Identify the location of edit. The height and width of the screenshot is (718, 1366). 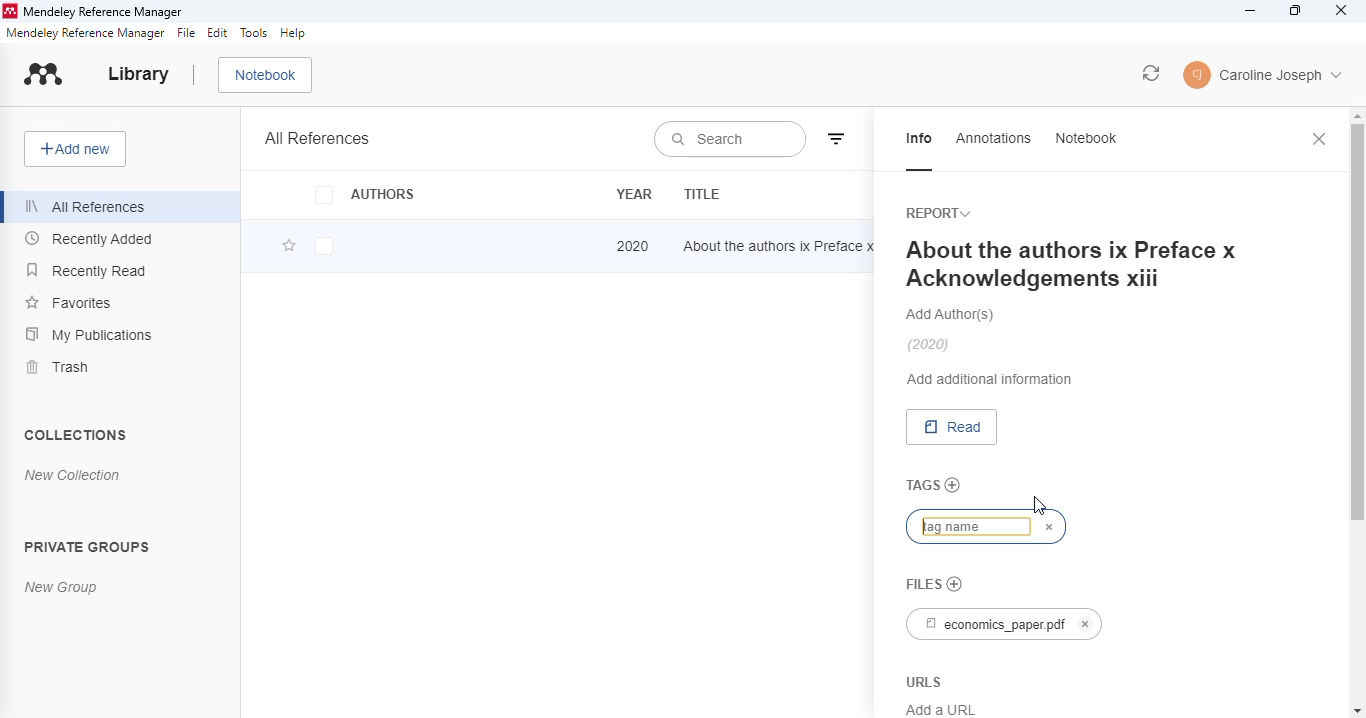
(219, 33).